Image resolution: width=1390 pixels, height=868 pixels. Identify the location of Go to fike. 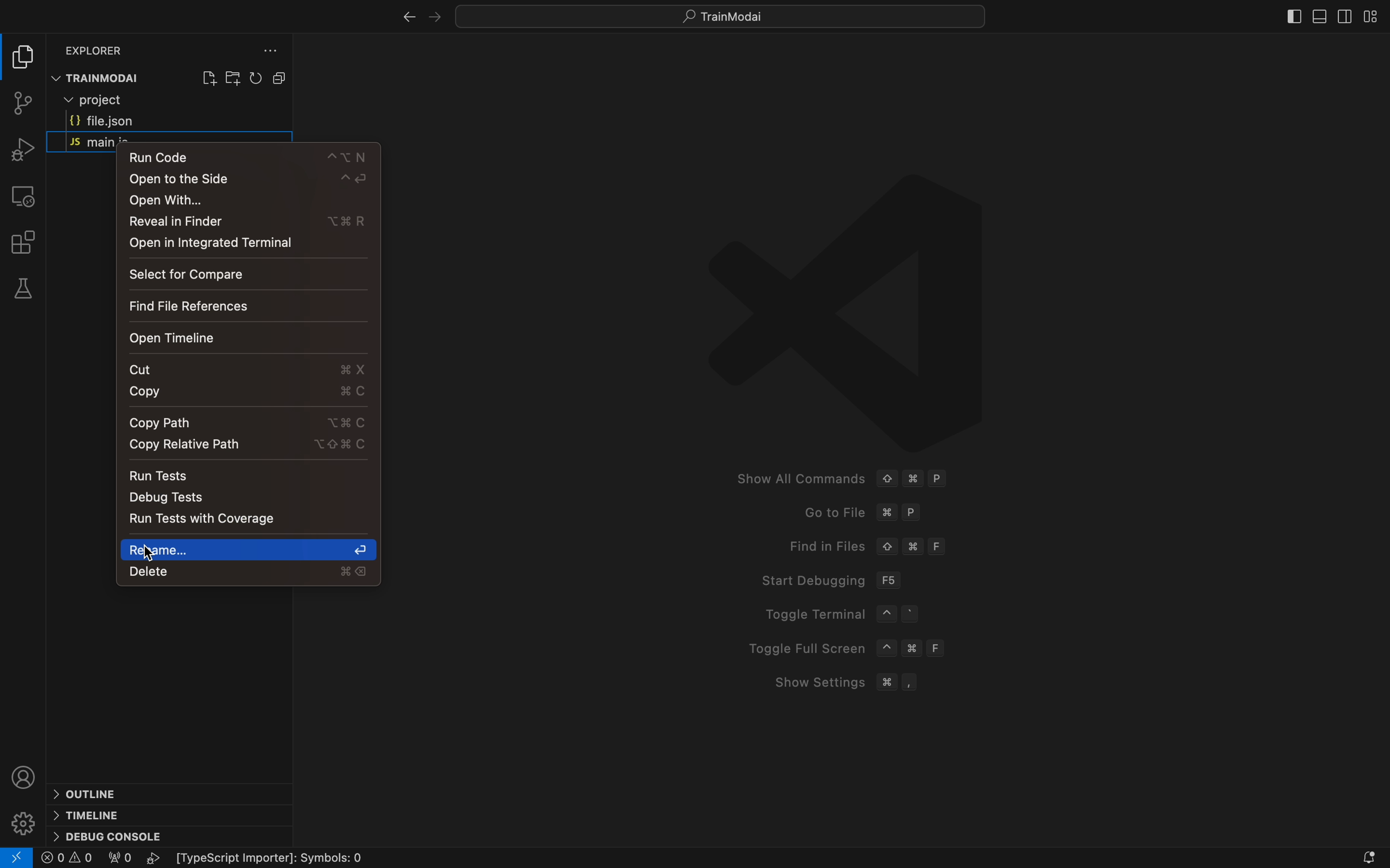
(859, 511).